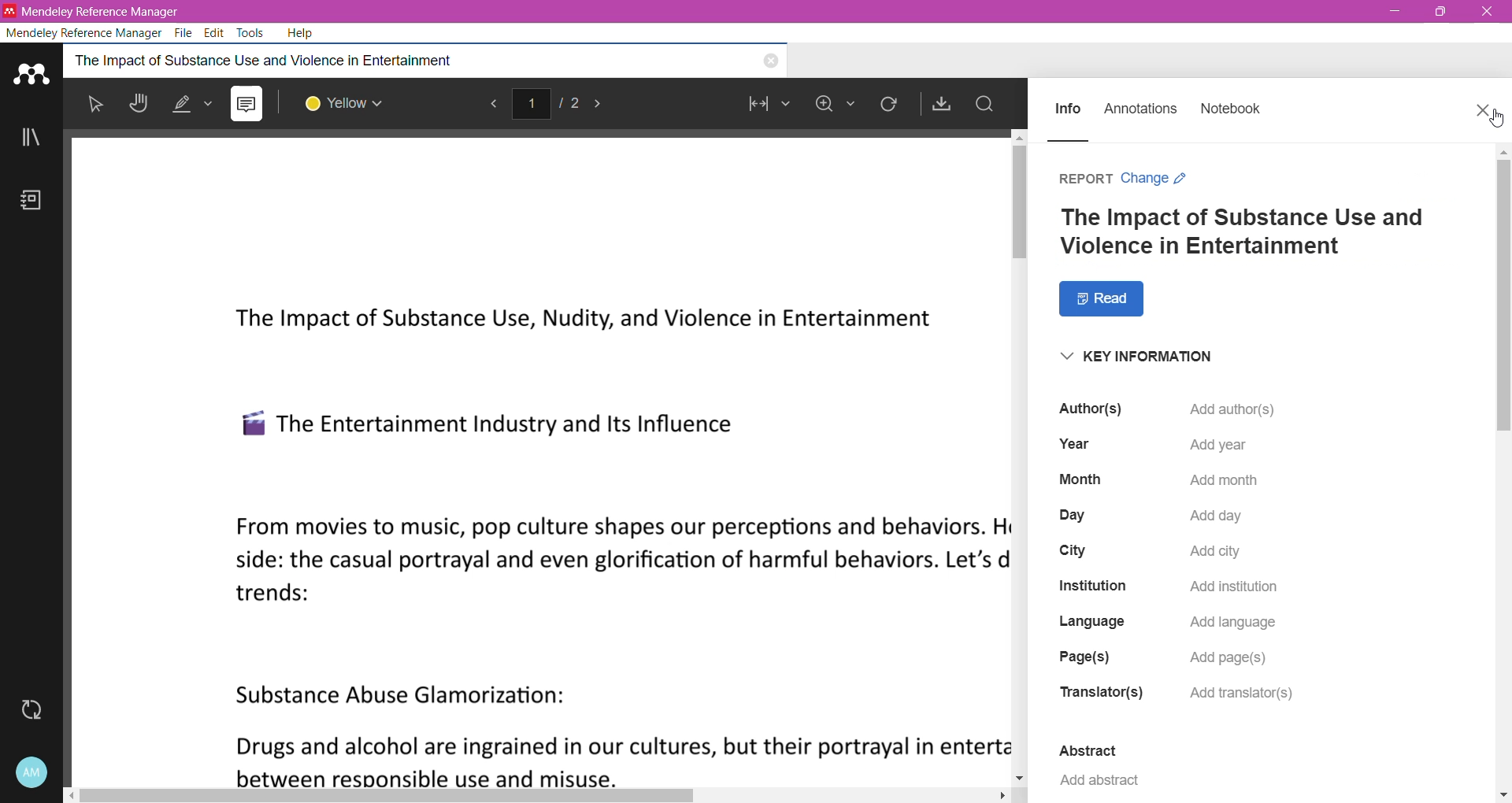 The width and height of the screenshot is (1512, 803). What do you see at coordinates (1092, 585) in the screenshot?
I see `Institution` at bounding box center [1092, 585].